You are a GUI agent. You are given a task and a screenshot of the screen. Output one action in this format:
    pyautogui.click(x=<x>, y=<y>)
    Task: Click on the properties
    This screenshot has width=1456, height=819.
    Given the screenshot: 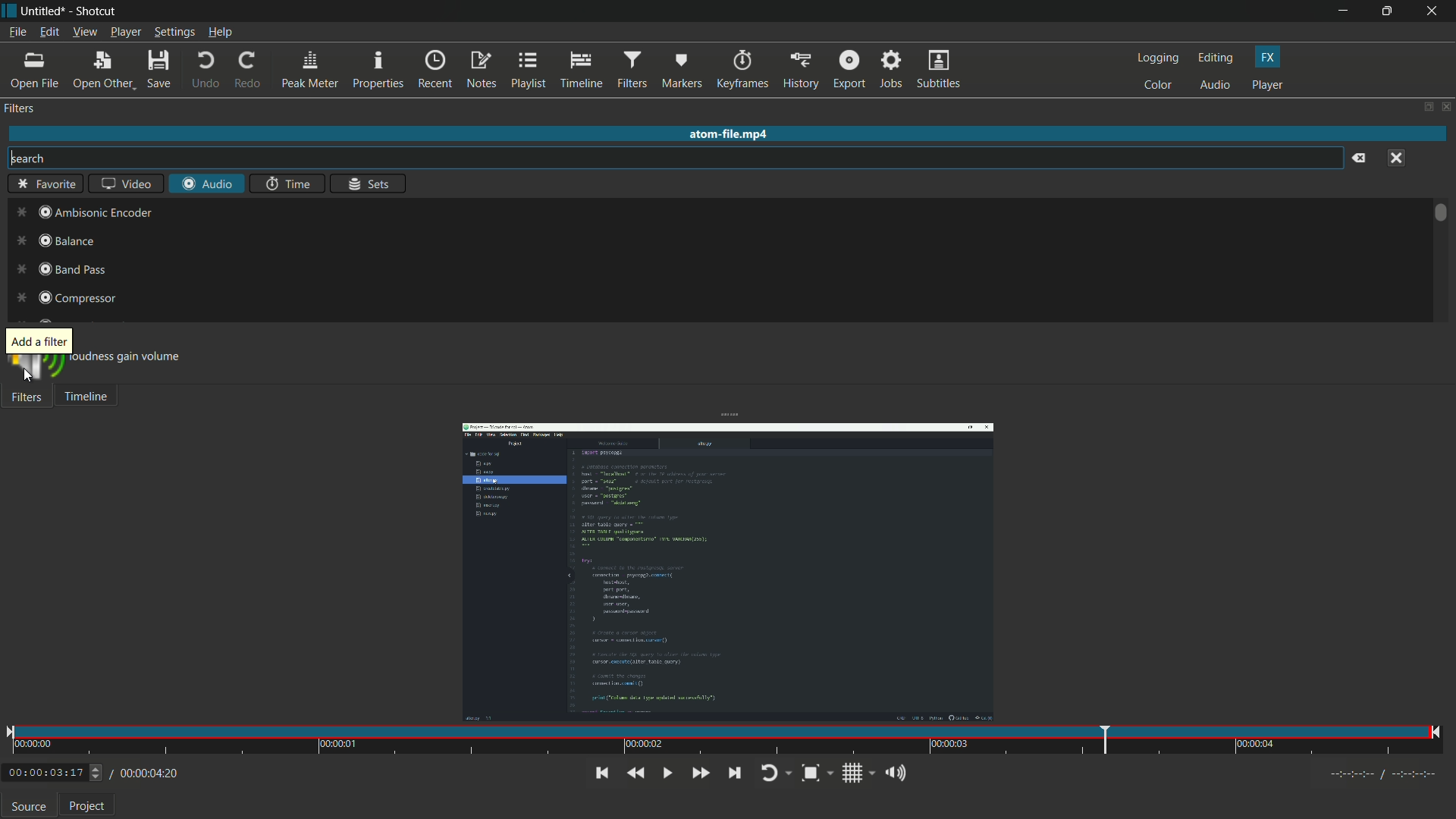 What is the action you would take?
    pyautogui.click(x=378, y=70)
    